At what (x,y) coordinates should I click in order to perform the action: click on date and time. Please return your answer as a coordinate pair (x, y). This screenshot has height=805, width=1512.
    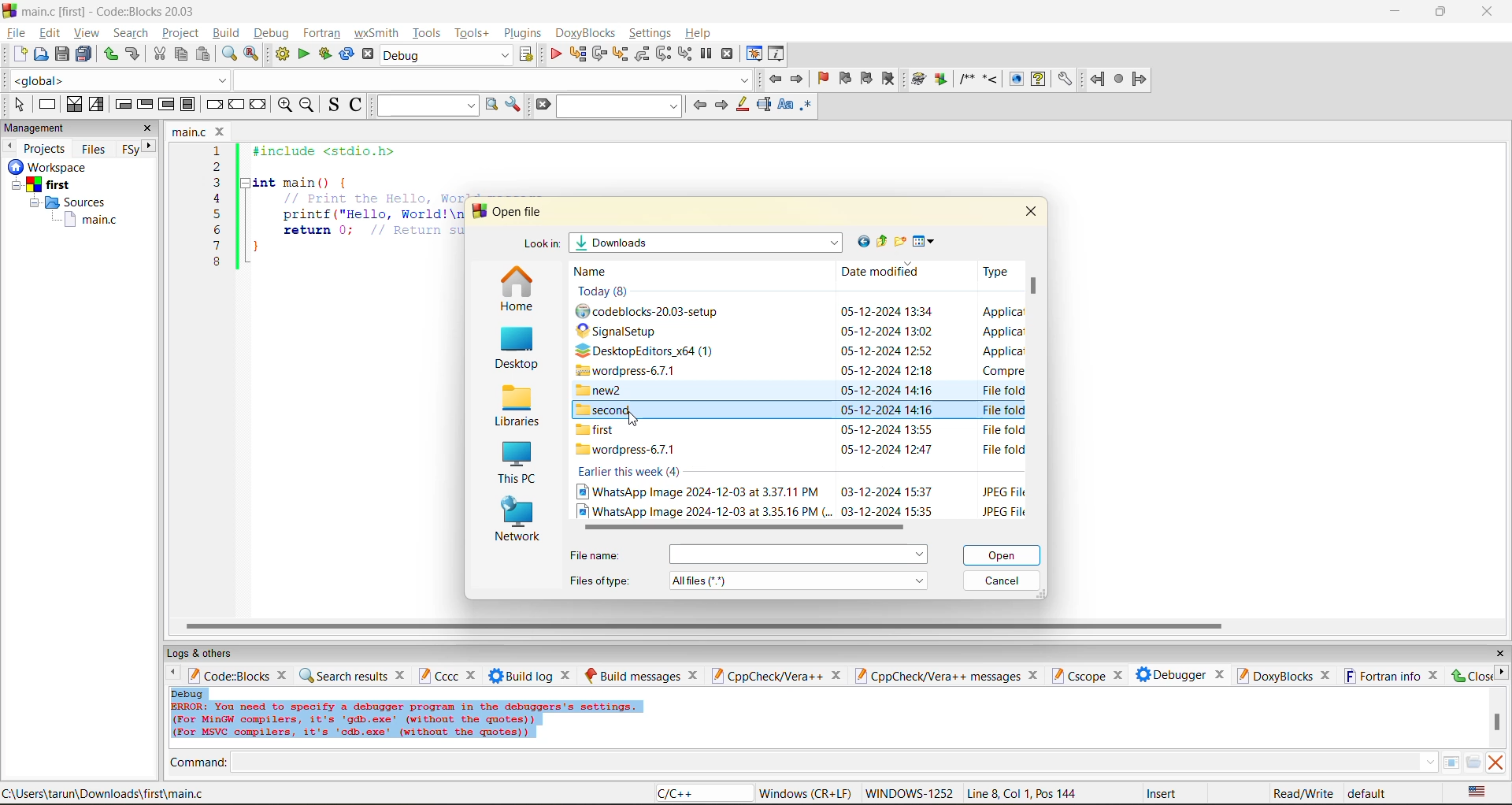
    Looking at the image, I should click on (888, 370).